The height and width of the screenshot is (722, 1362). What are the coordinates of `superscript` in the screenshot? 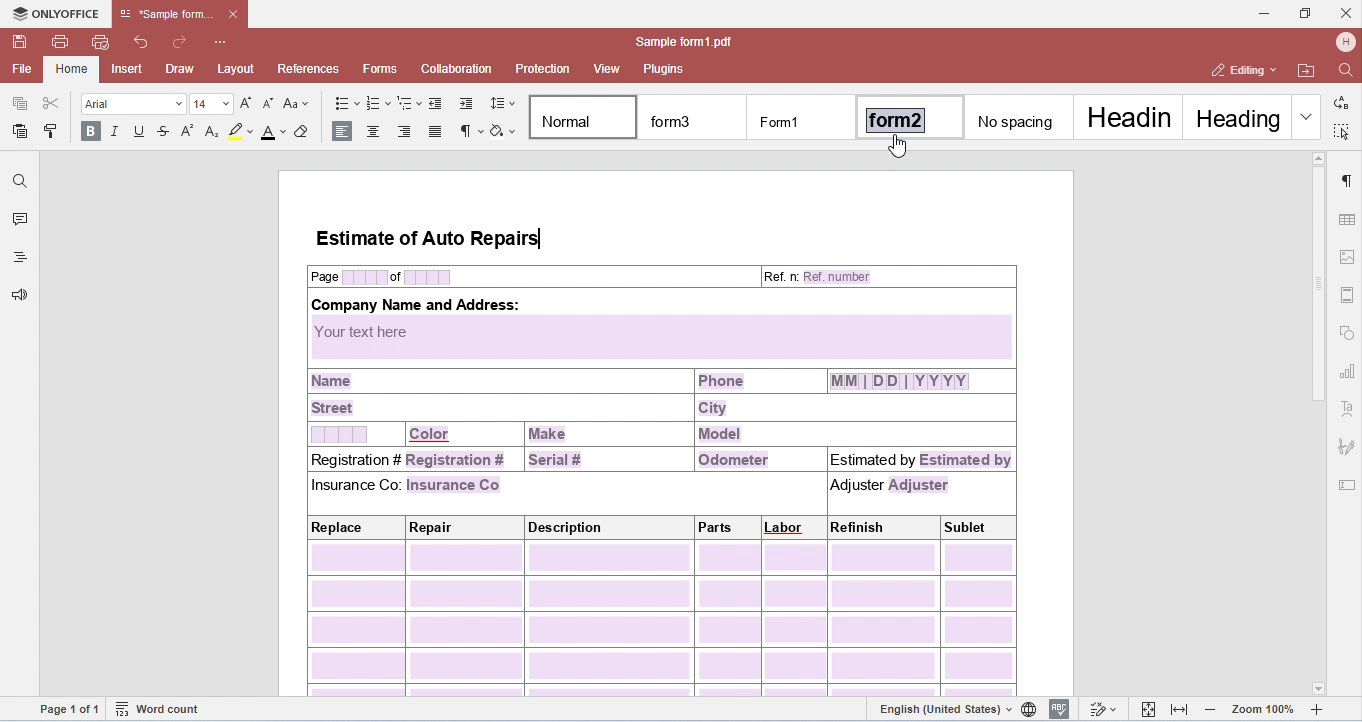 It's located at (191, 132).